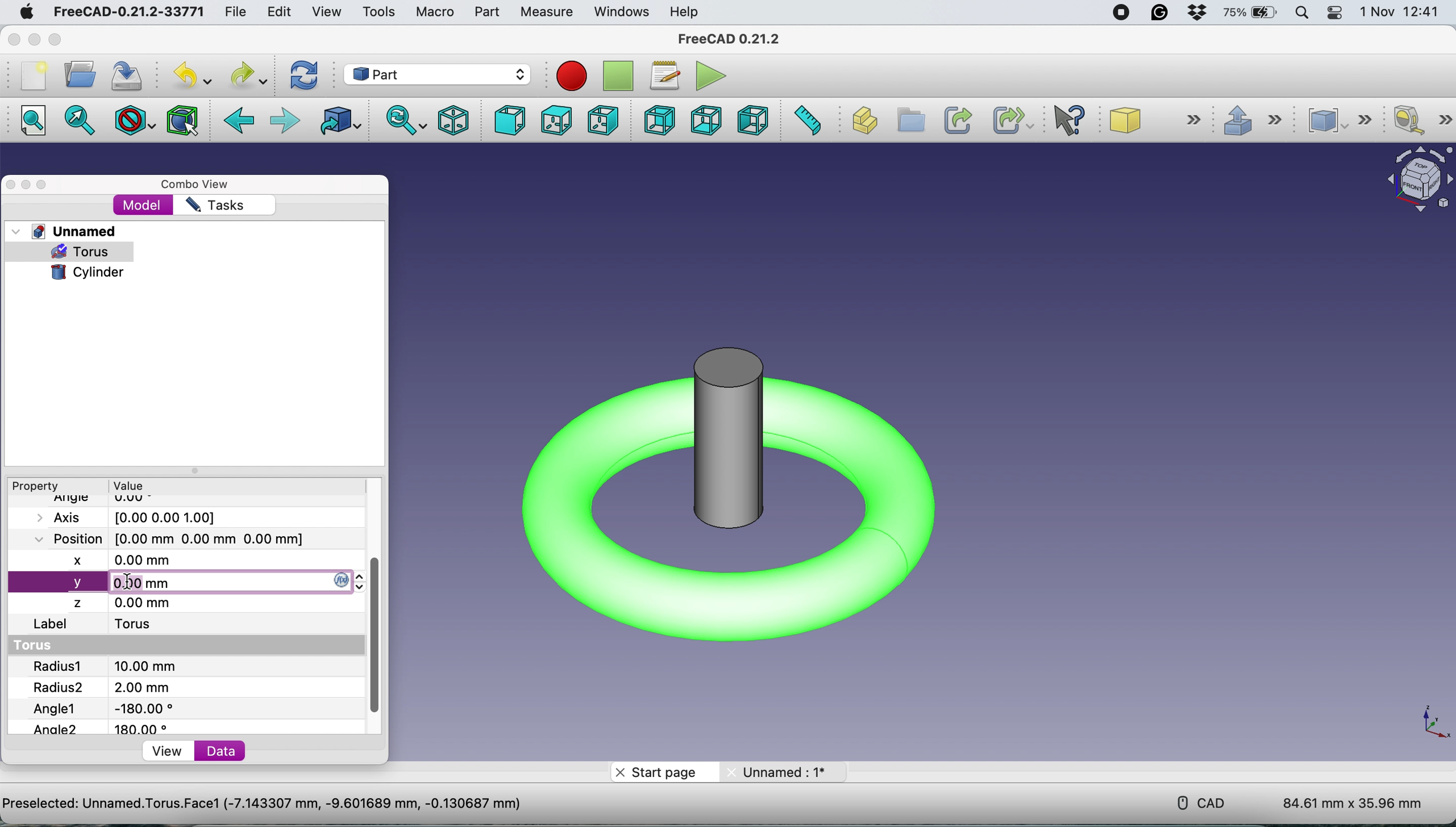  I want to click on combo view, so click(201, 185).